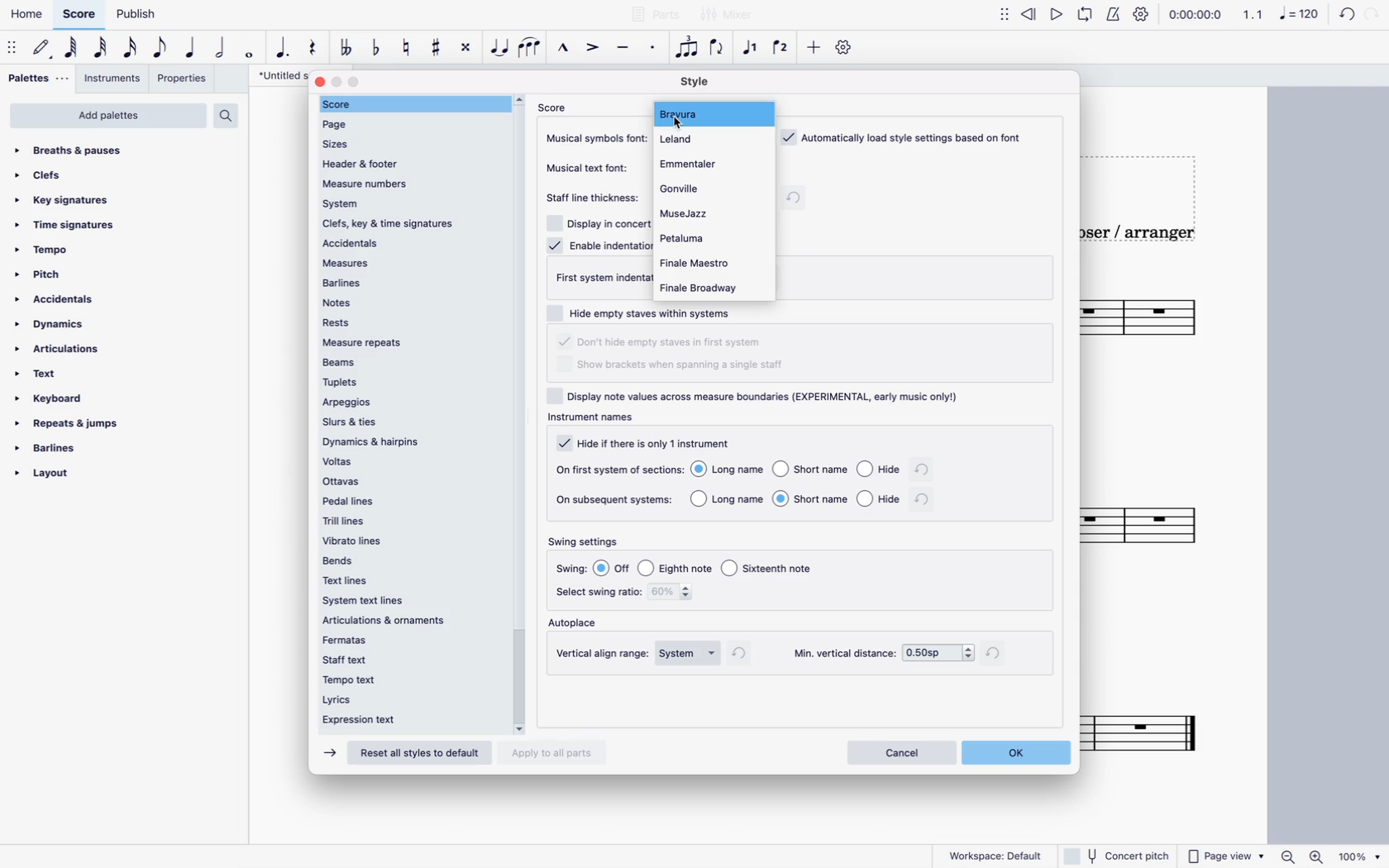 This screenshot has height=868, width=1389. What do you see at coordinates (923, 471) in the screenshot?
I see `refresh` at bounding box center [923, 471].